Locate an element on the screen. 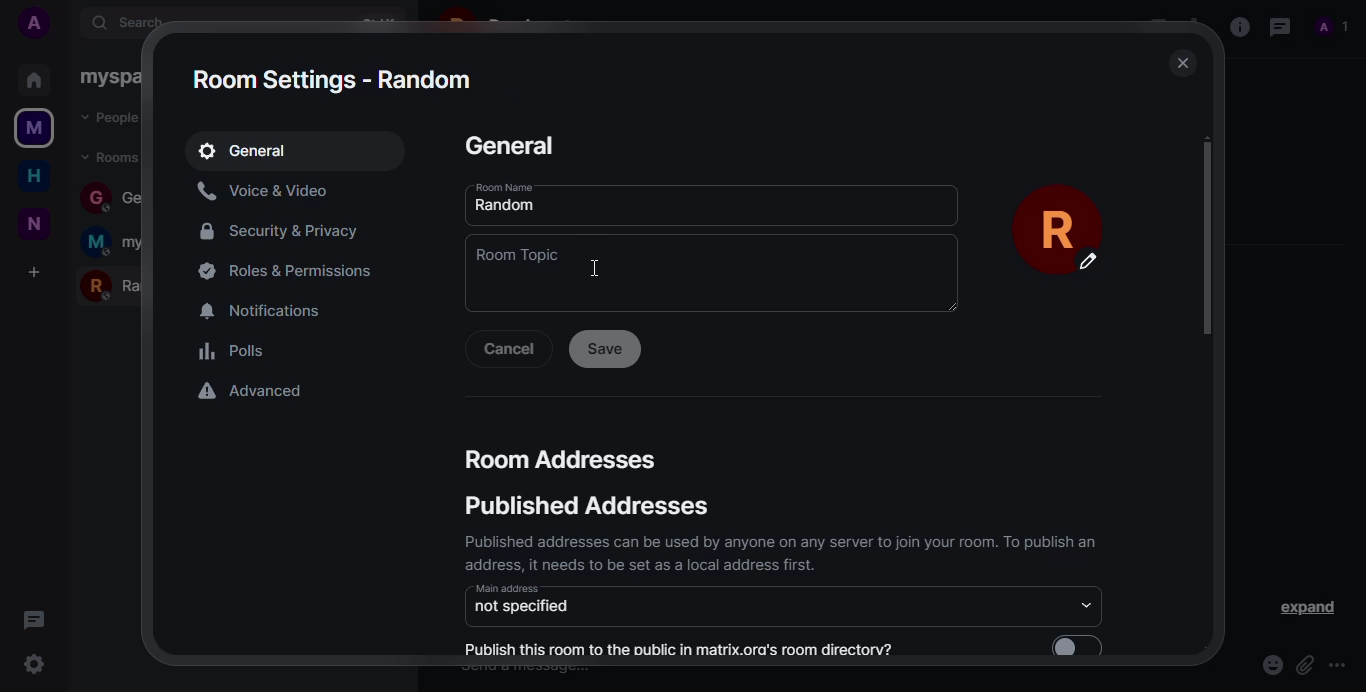 The width and height of the screenshot is (1366, 692). profile pic is located at coordinates (1066, 230).